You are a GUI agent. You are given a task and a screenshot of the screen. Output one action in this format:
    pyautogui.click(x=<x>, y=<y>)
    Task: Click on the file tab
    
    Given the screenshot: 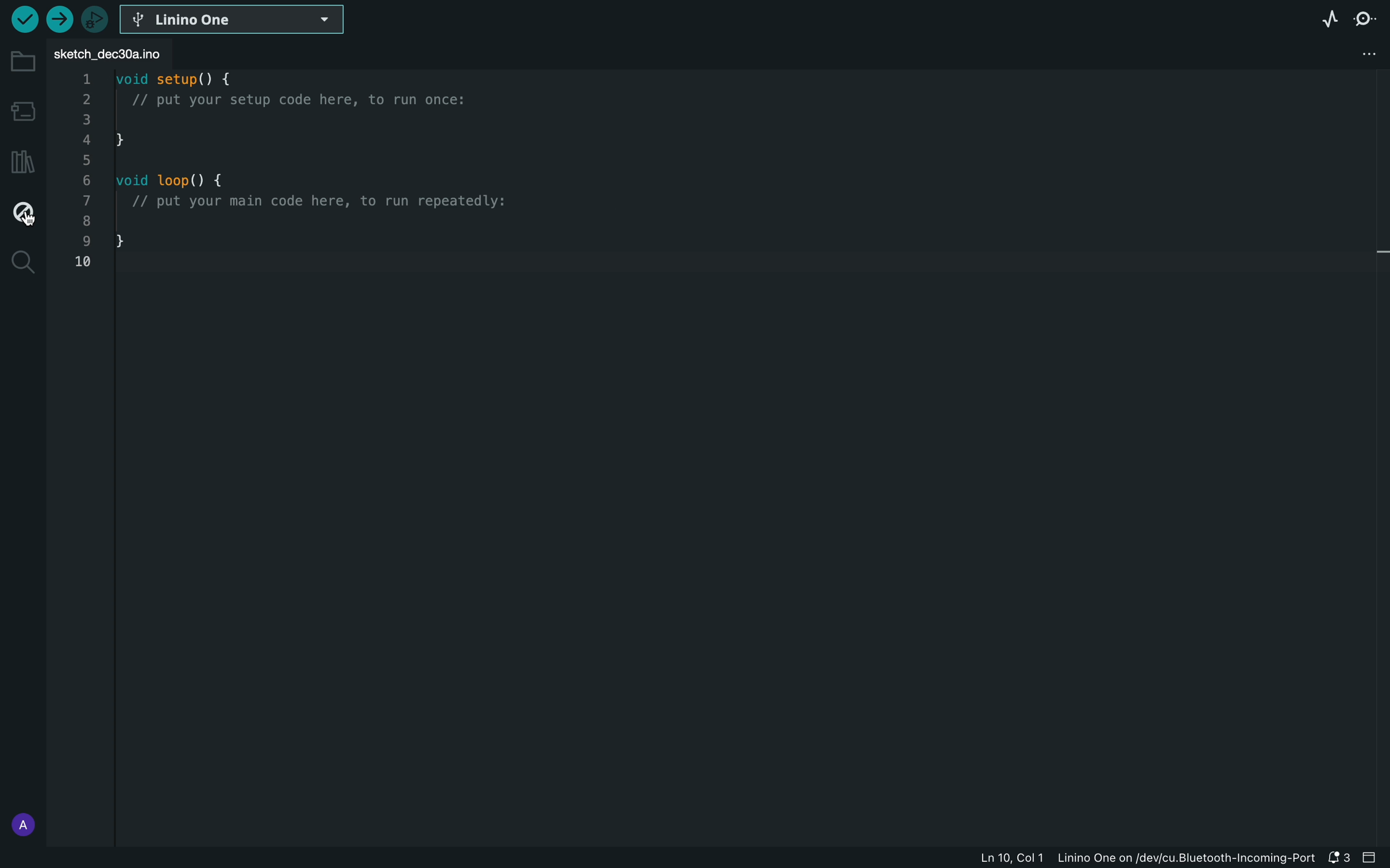 What is the action you would take?
    pyautogui.click(x=119, y=53)
    